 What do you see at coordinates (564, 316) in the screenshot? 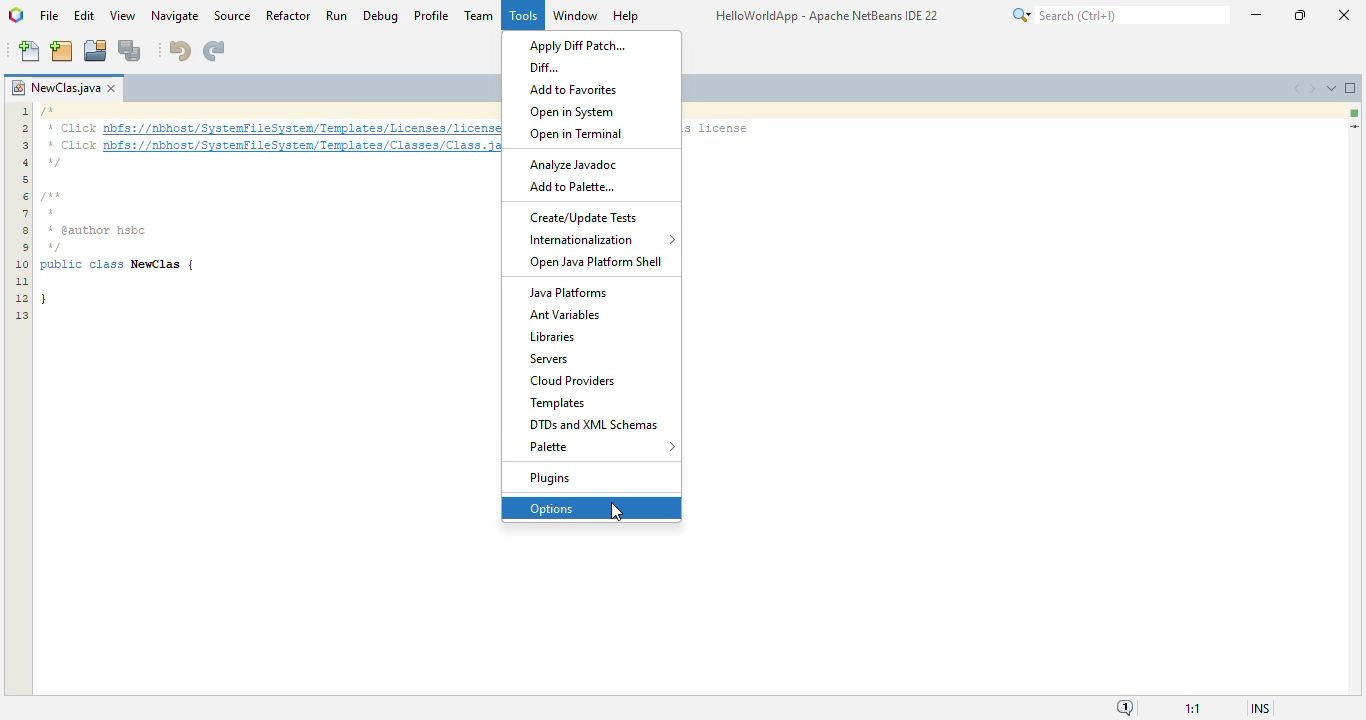
I see `ant variables` at bounding box center [564, 316].